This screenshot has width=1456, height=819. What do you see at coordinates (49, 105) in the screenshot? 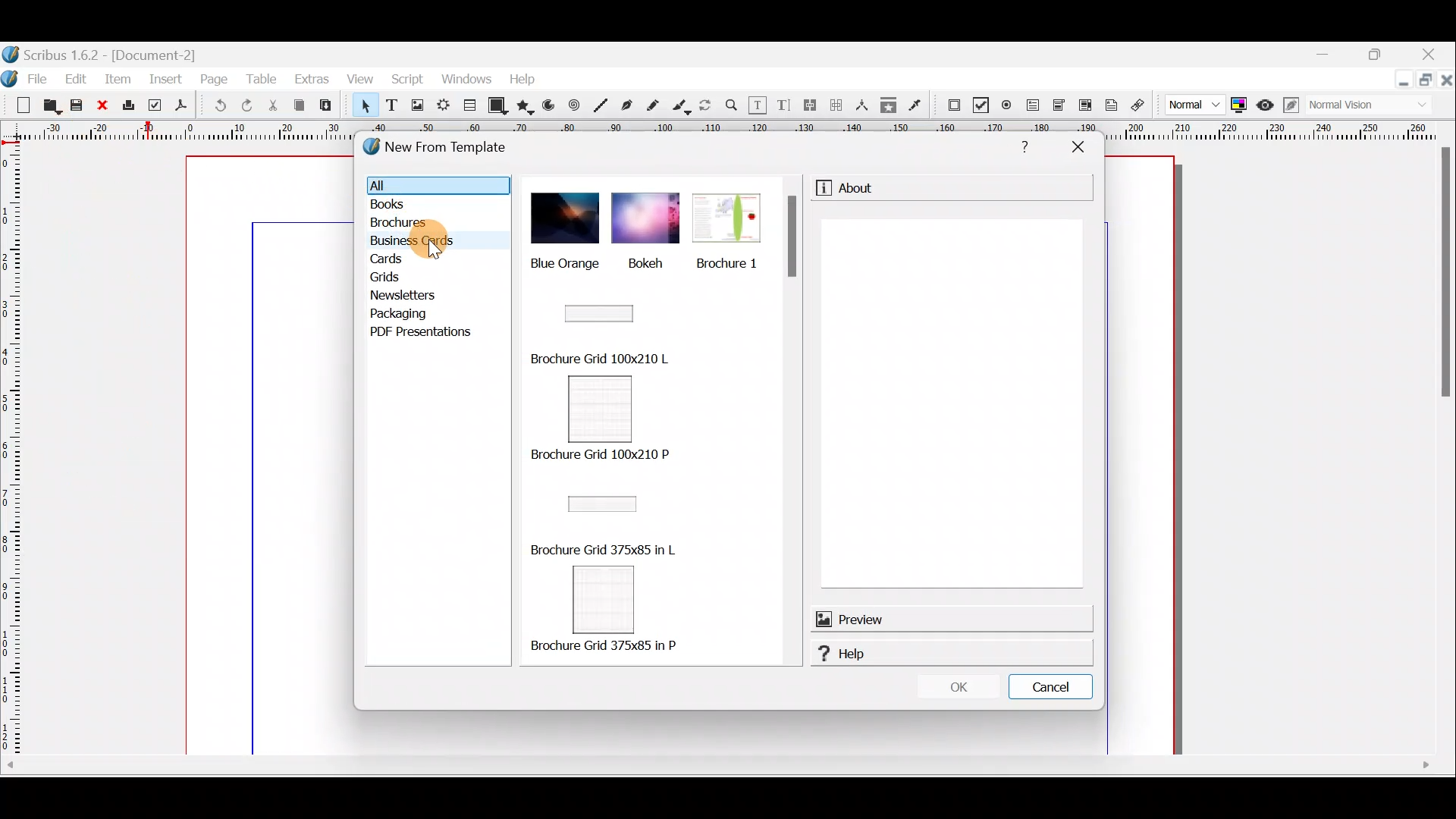
I see `Open` at bounding box center [49, 105].